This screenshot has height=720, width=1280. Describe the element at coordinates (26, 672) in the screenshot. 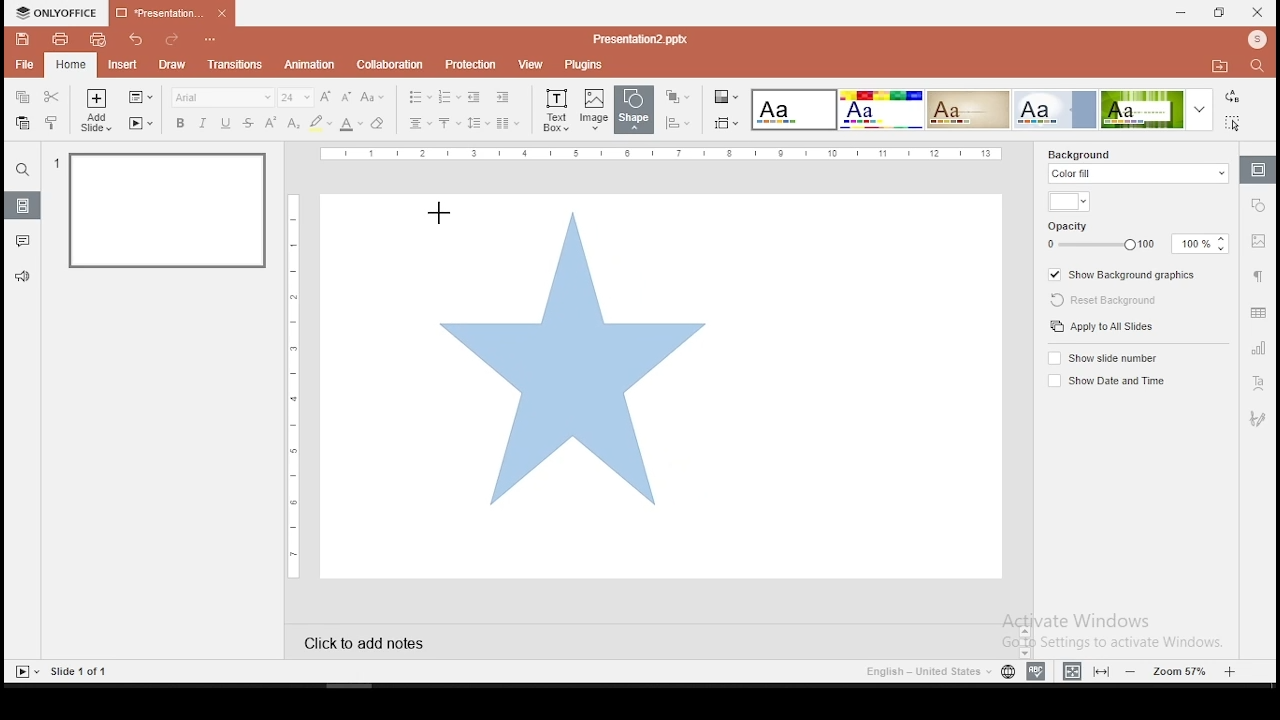

I see `start slideshow` at that location.